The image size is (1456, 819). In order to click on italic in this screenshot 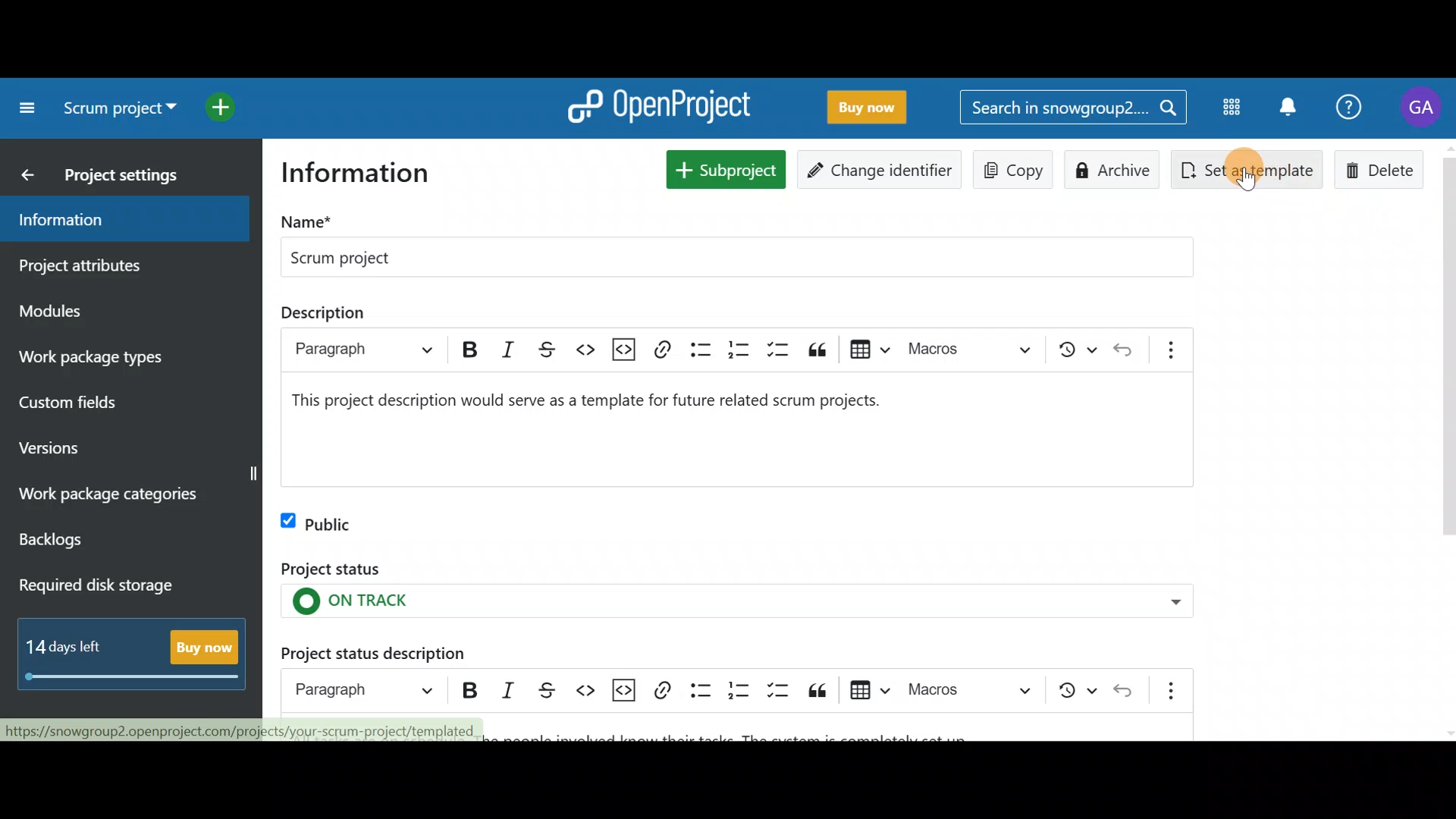, I will do `click(507, 349)`.